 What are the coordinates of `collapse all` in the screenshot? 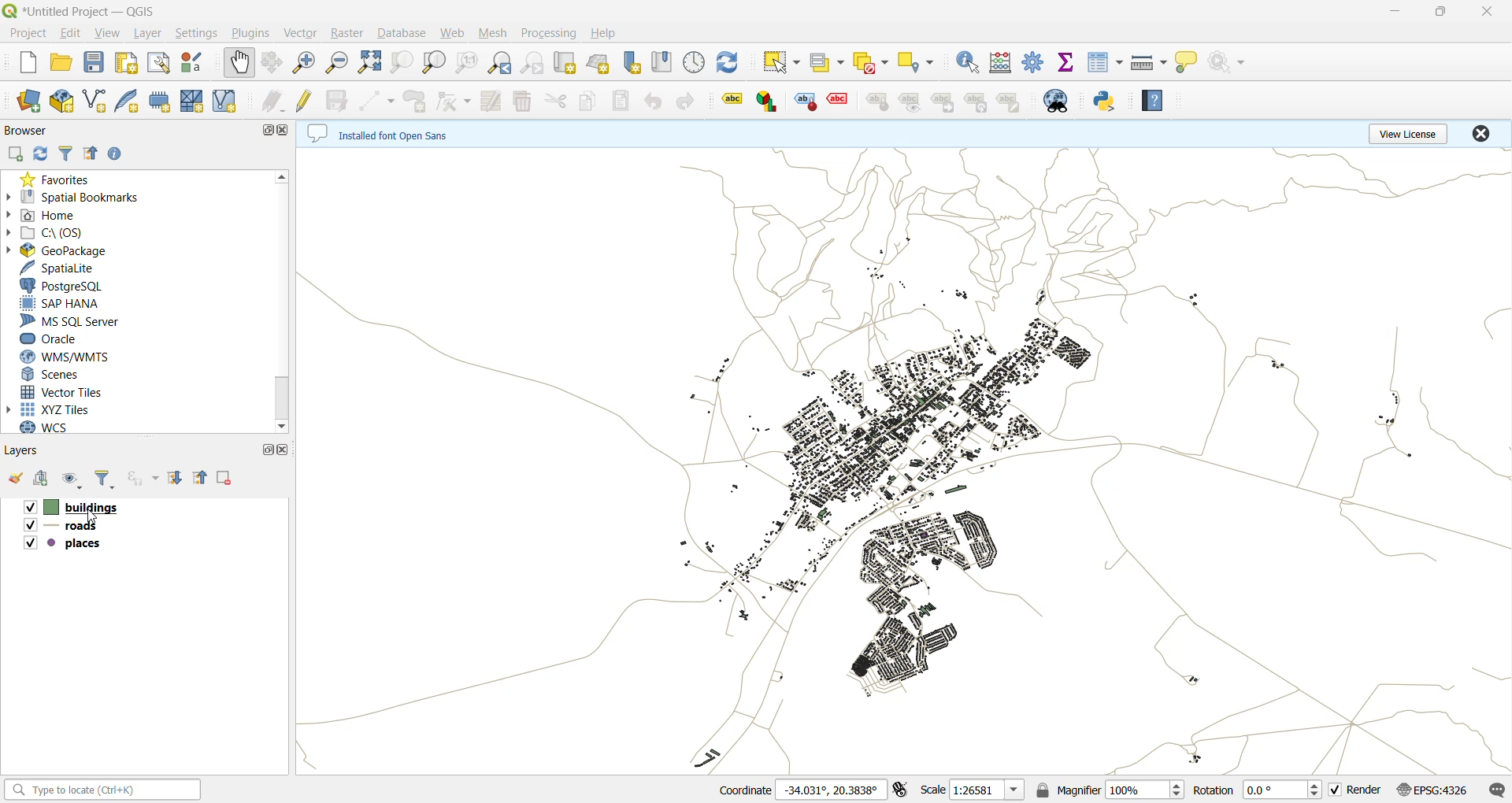 It's located at (201, 477).